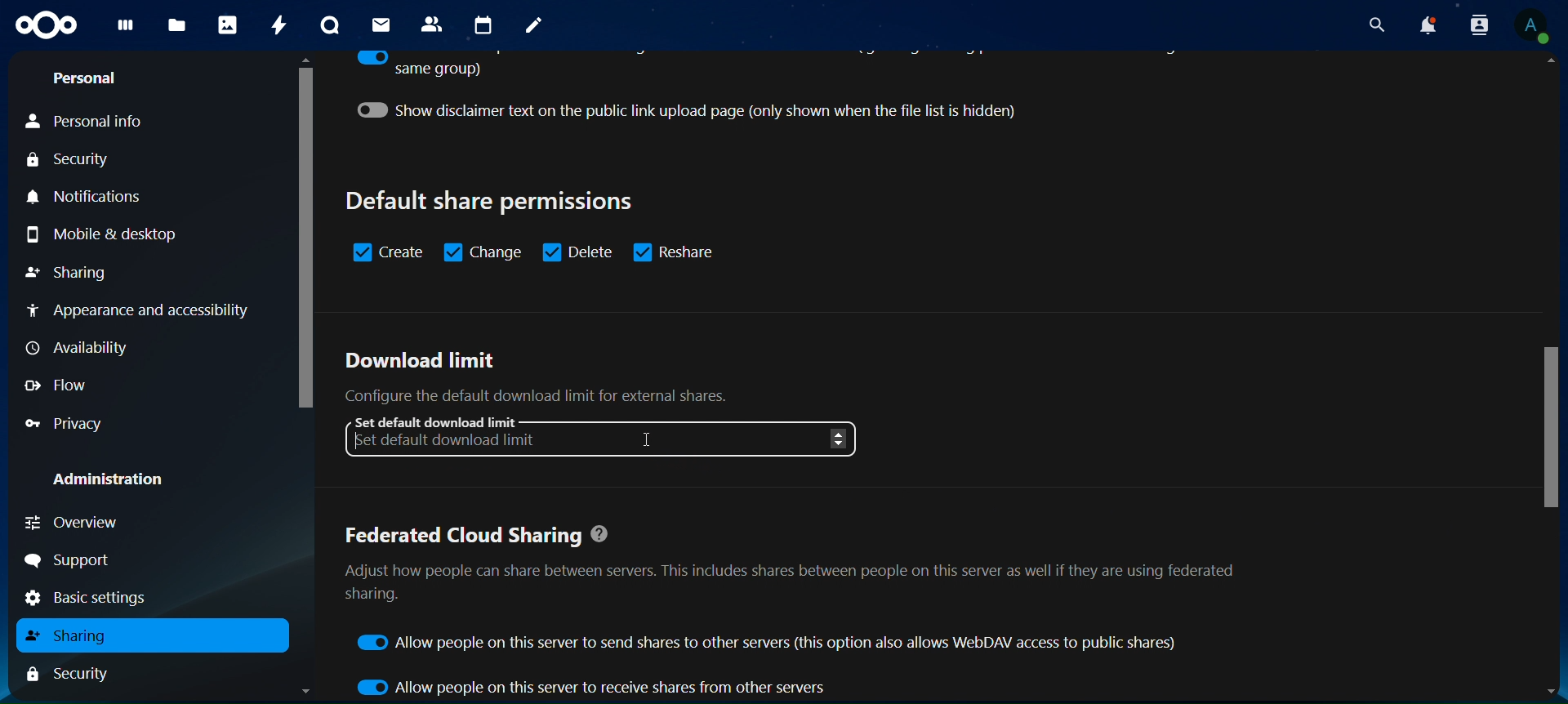 Image resolution: width=1568 pixels, height=704 pixels. Describe the element at coordinates (109, 481) in the screenshot. I see `administration` at that location.